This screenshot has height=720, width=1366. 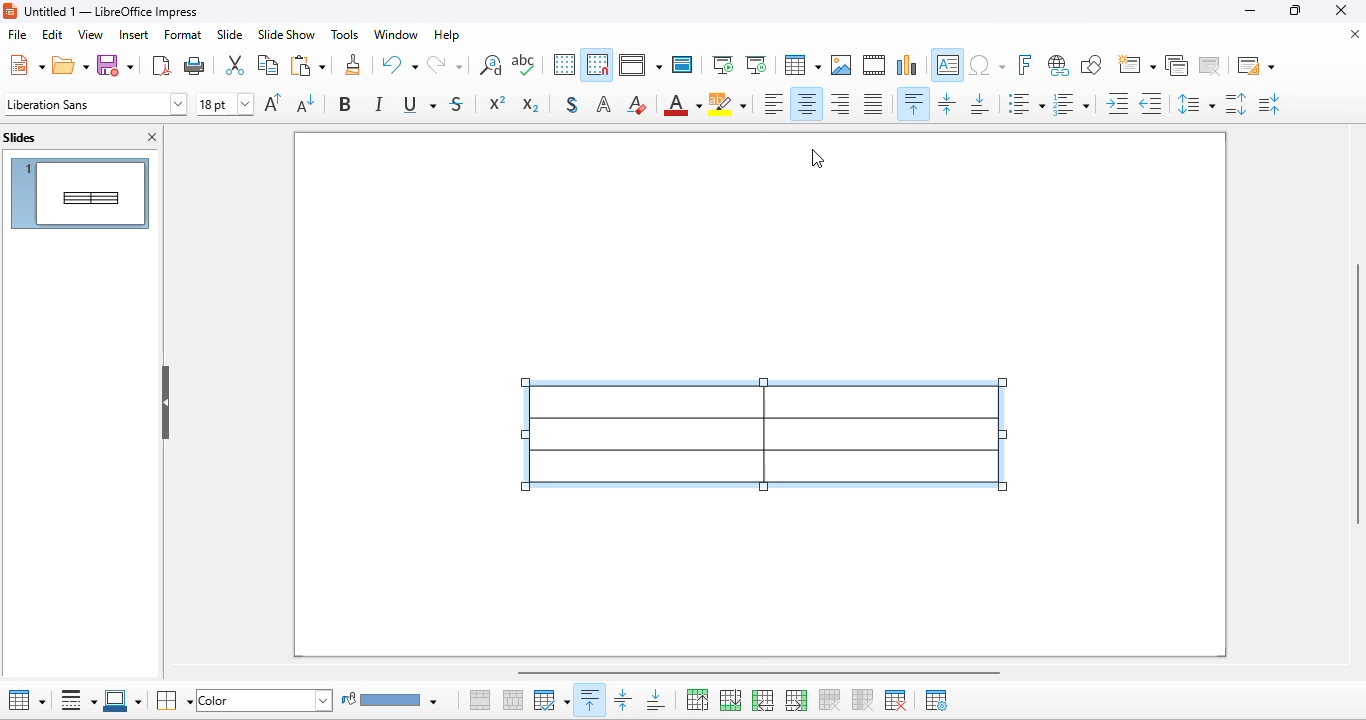 What do you see at coordinates (419, 104) in the screenshot?
I see `underline` at bounding box center [419, 104].